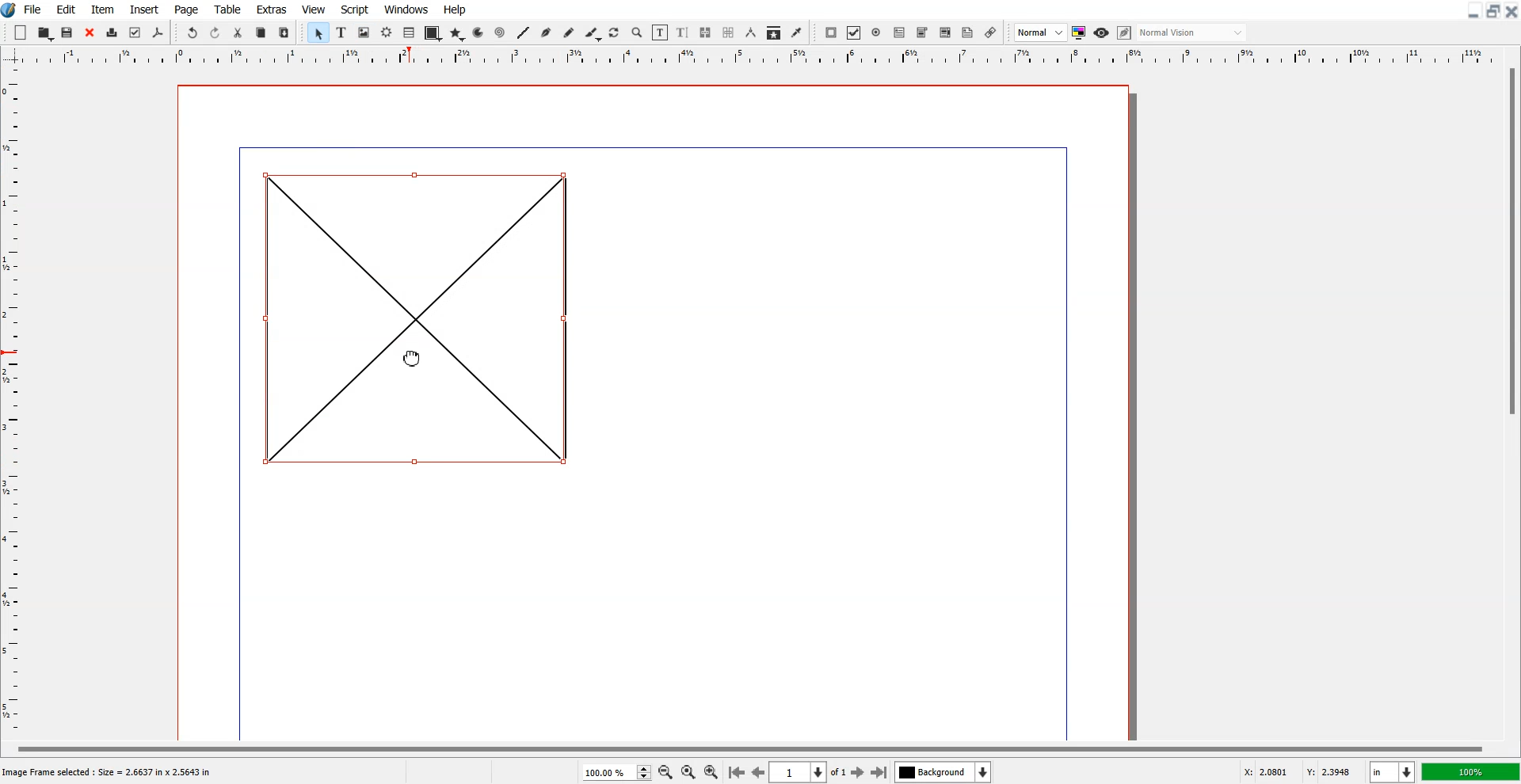  I want to click on 100%, so click(1470, 771).